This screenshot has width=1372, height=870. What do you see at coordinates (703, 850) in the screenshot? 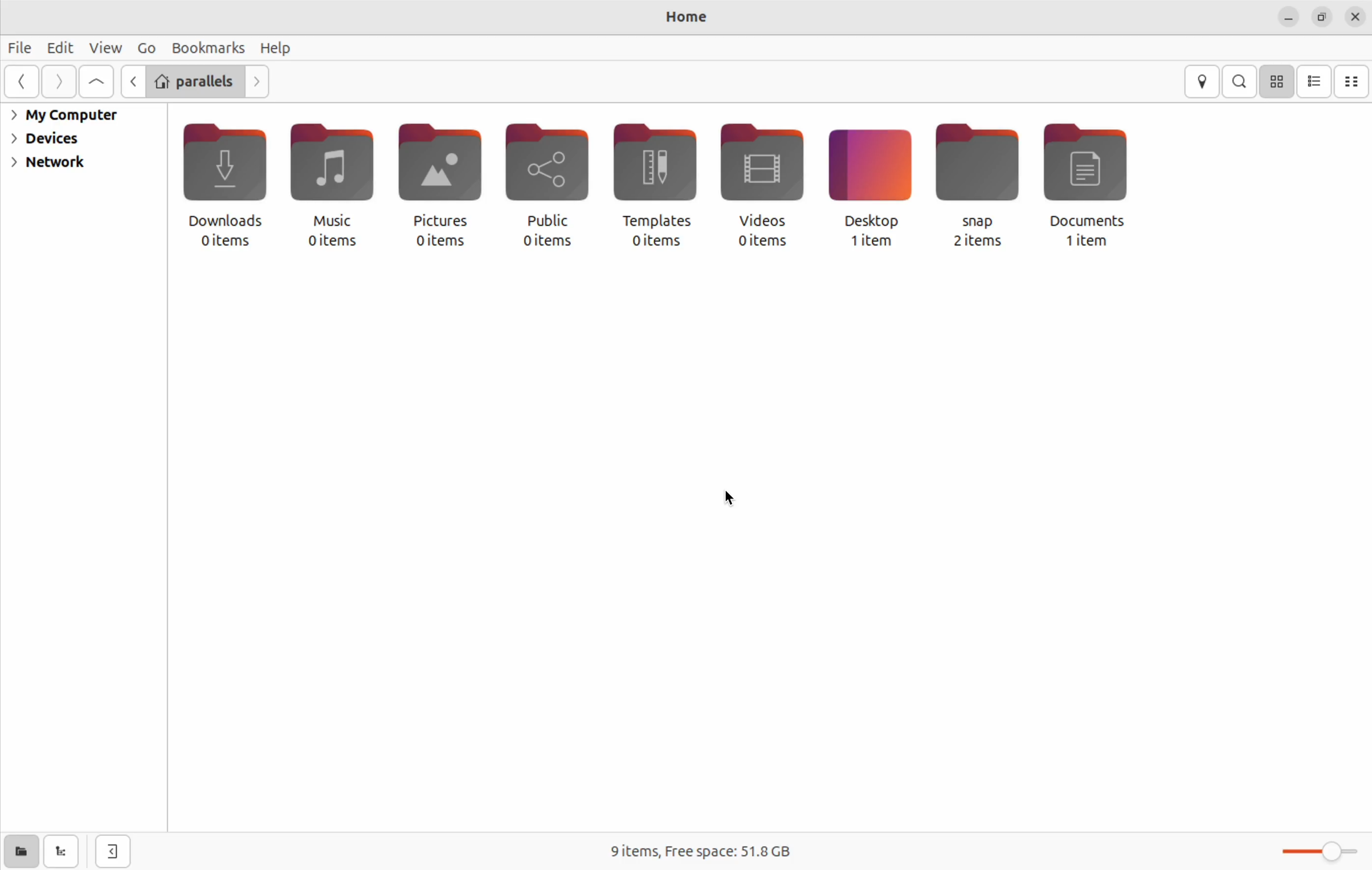
I see `9 items free space 51.8 Gb` at bounding box center [703, 850].